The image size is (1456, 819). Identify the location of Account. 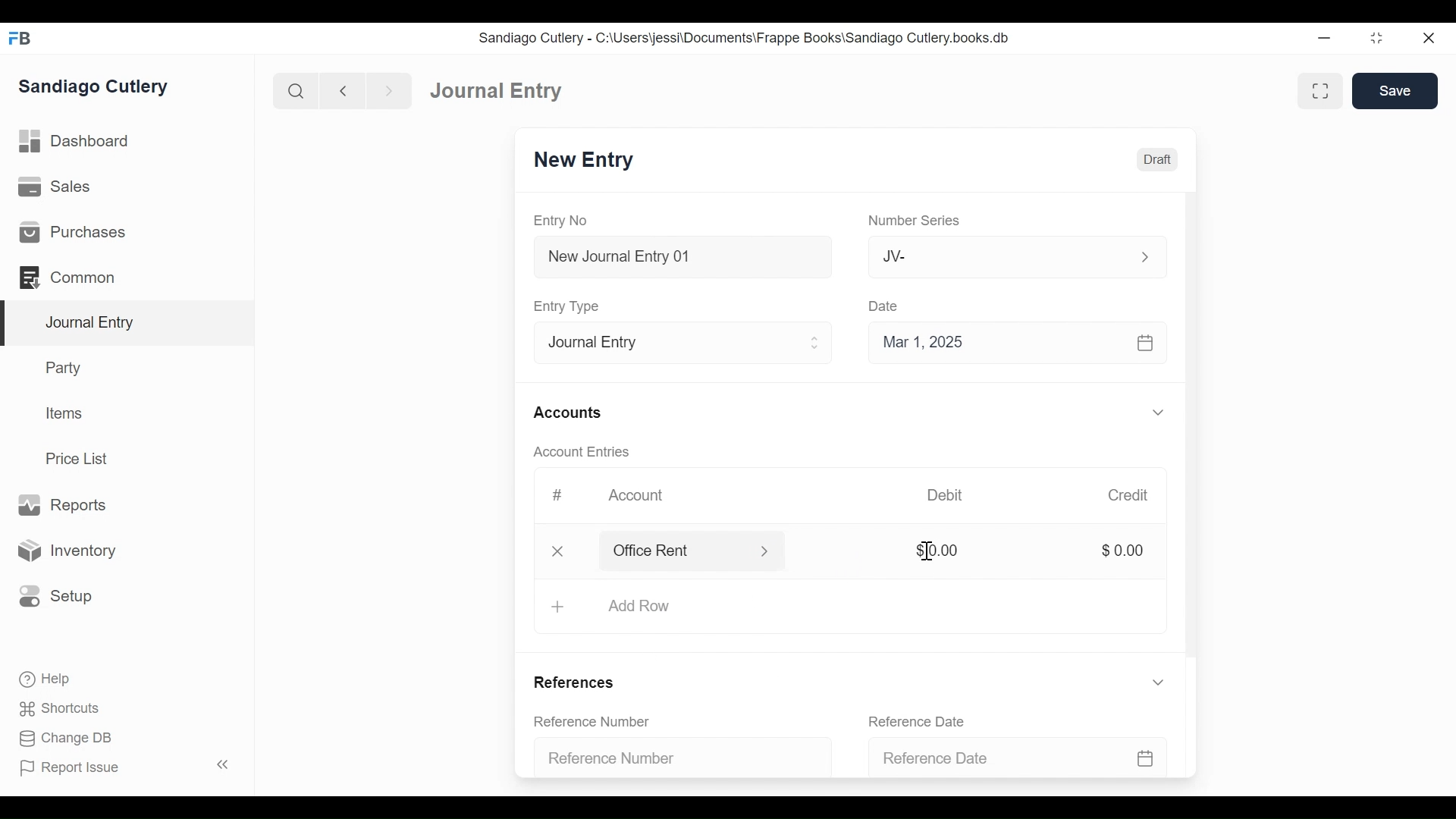
(635, 496).